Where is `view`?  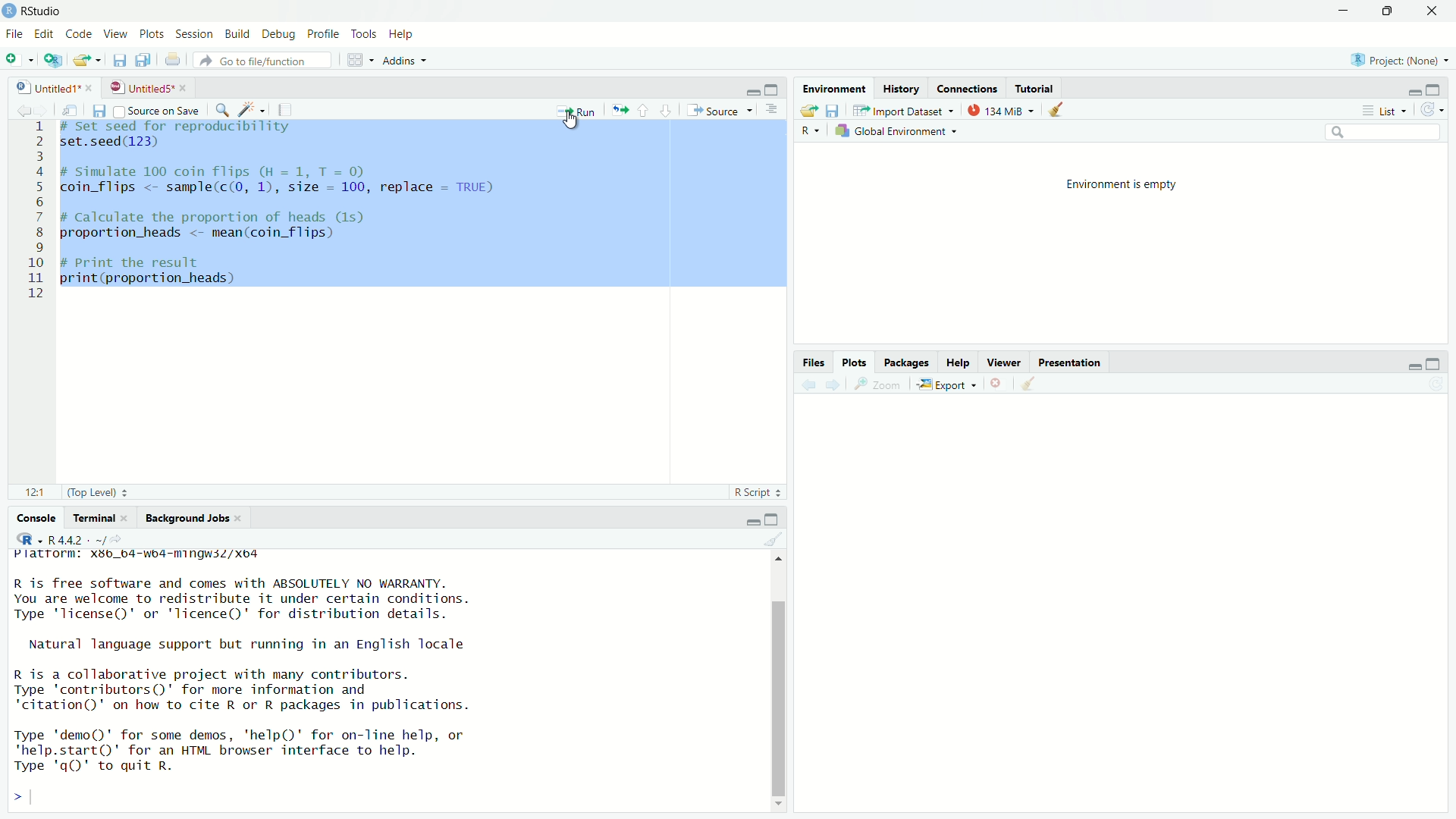 view is located at coordinates (116, 35).